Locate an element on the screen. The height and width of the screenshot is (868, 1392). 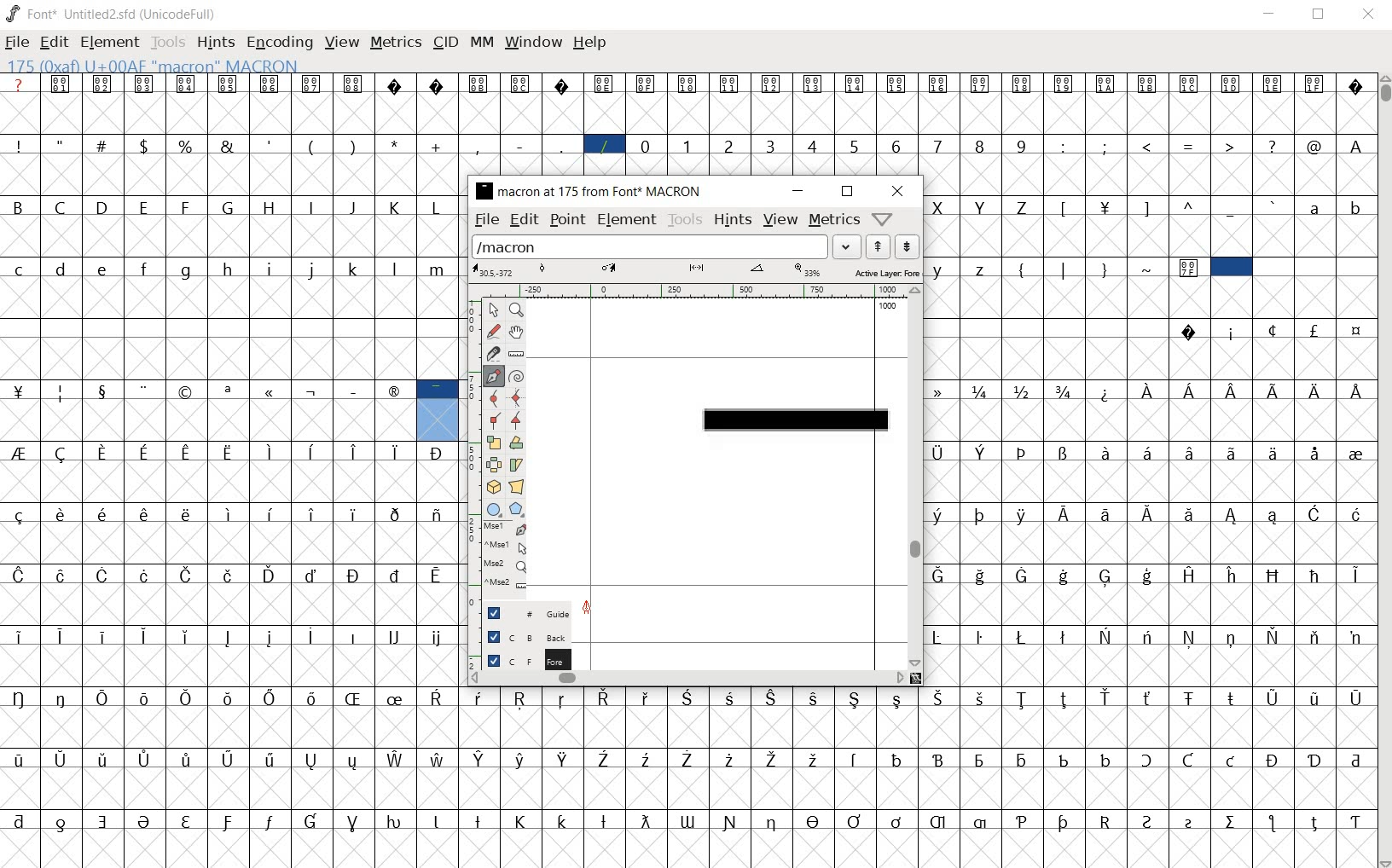
point is located at coordinates (565, 221).